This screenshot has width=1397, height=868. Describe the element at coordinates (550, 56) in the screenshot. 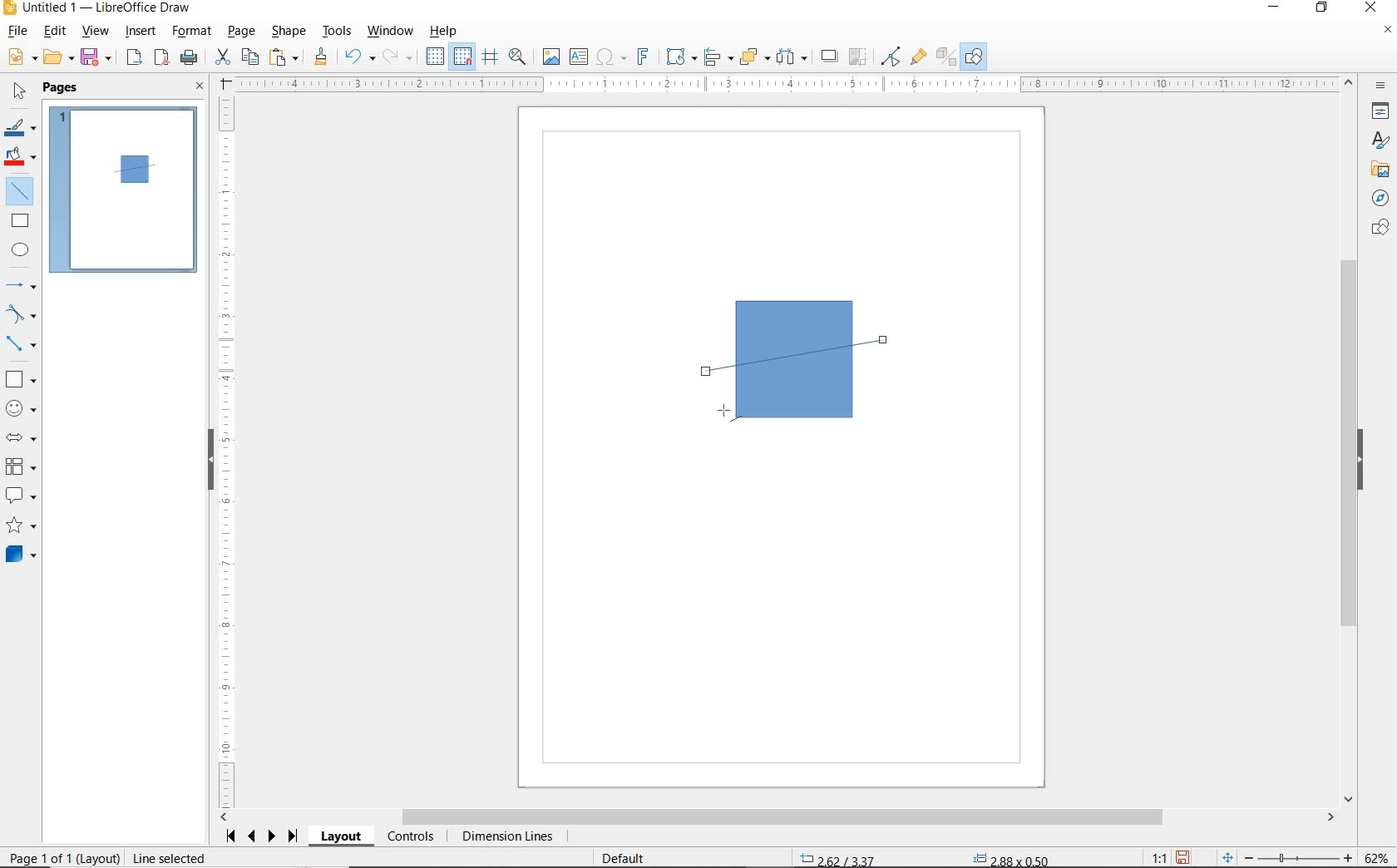

I see `IMAGE` at that location.